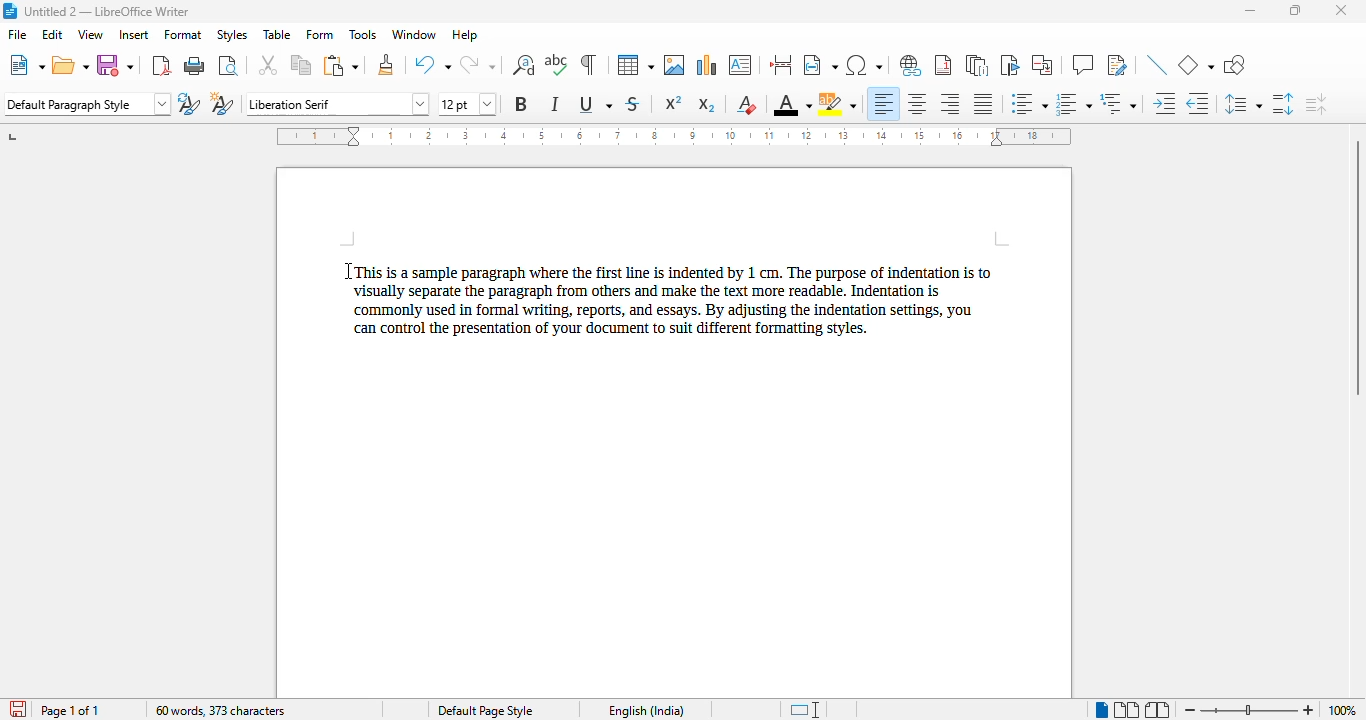 The height and width of the screenshot is (720, 1366). Describe the element at coordinates (911, 65) in the screenshot. I see `insert hyperlink` at that location.